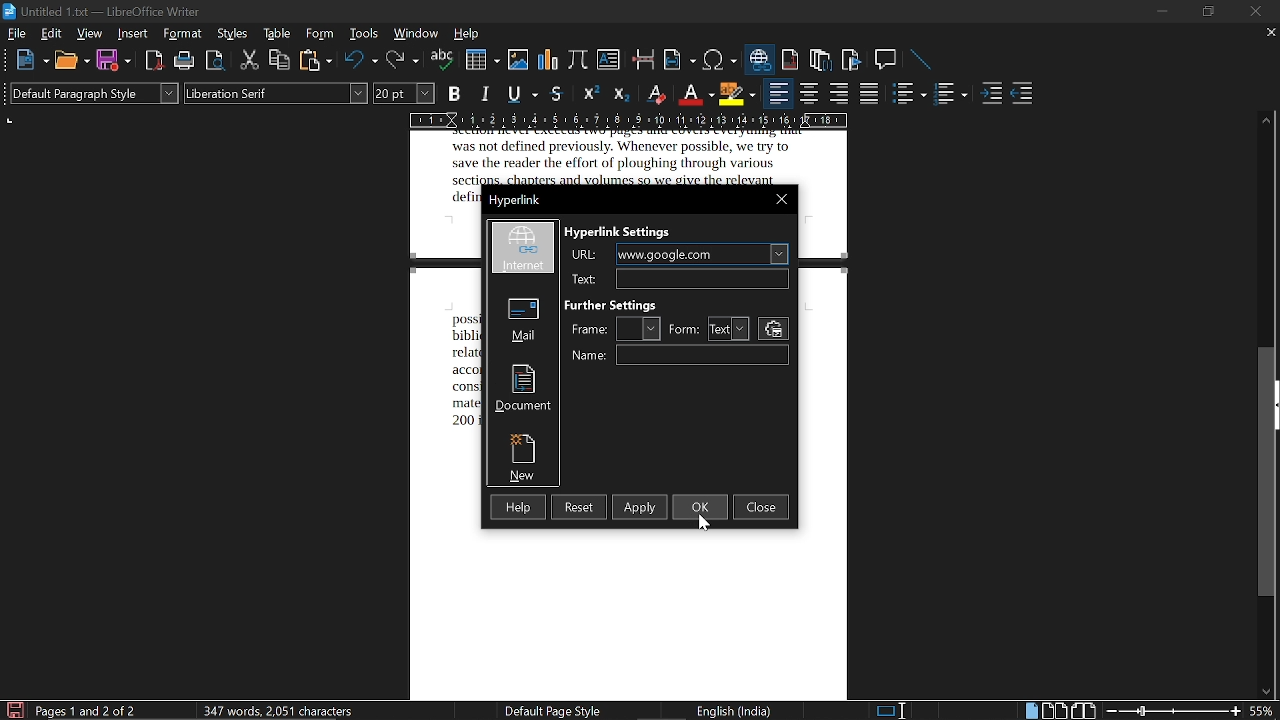  I want to click on insert, so click(133, 34).